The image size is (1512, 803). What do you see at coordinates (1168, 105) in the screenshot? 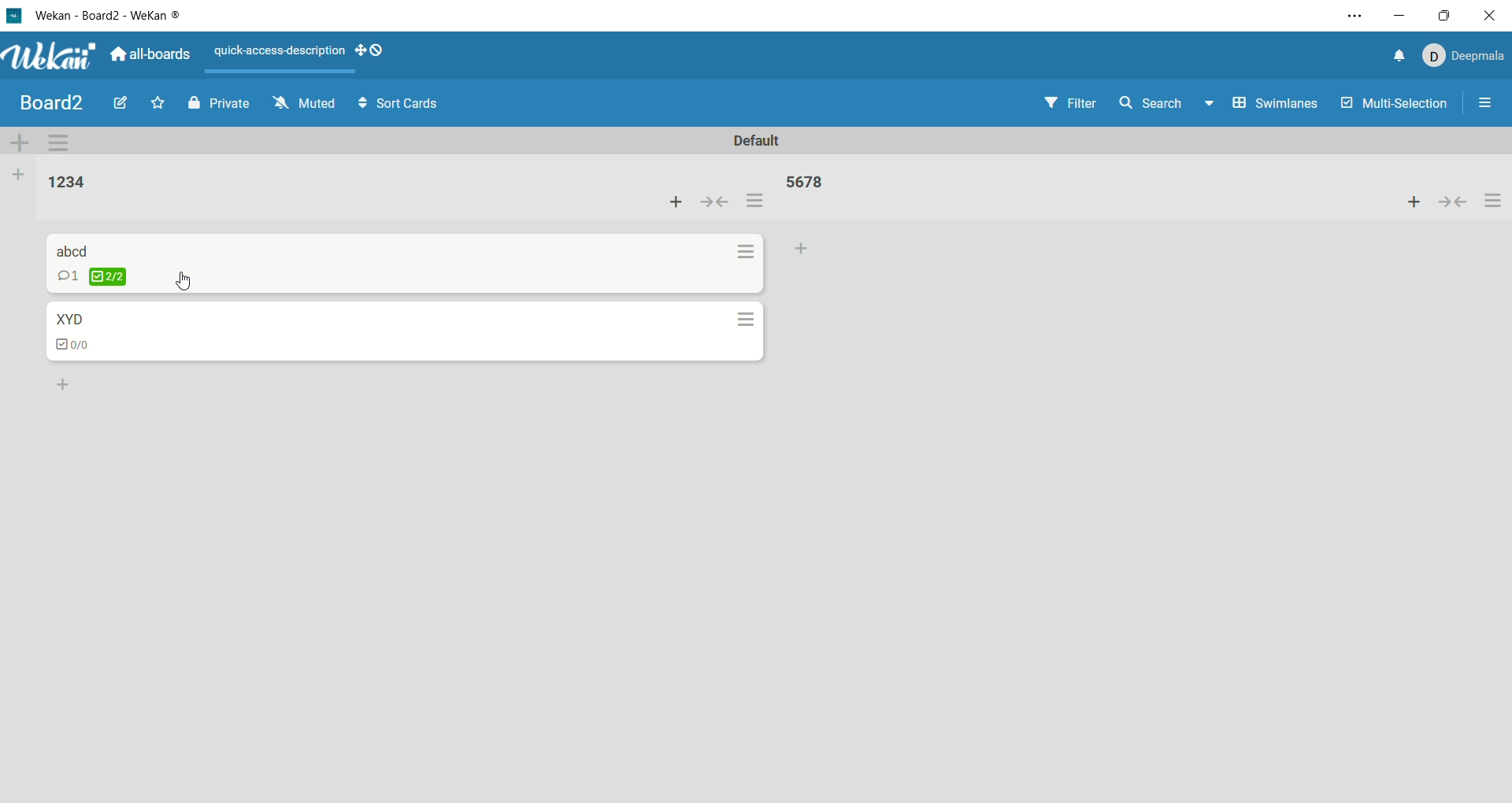
I see `search` at bounding box center [1168, 105].